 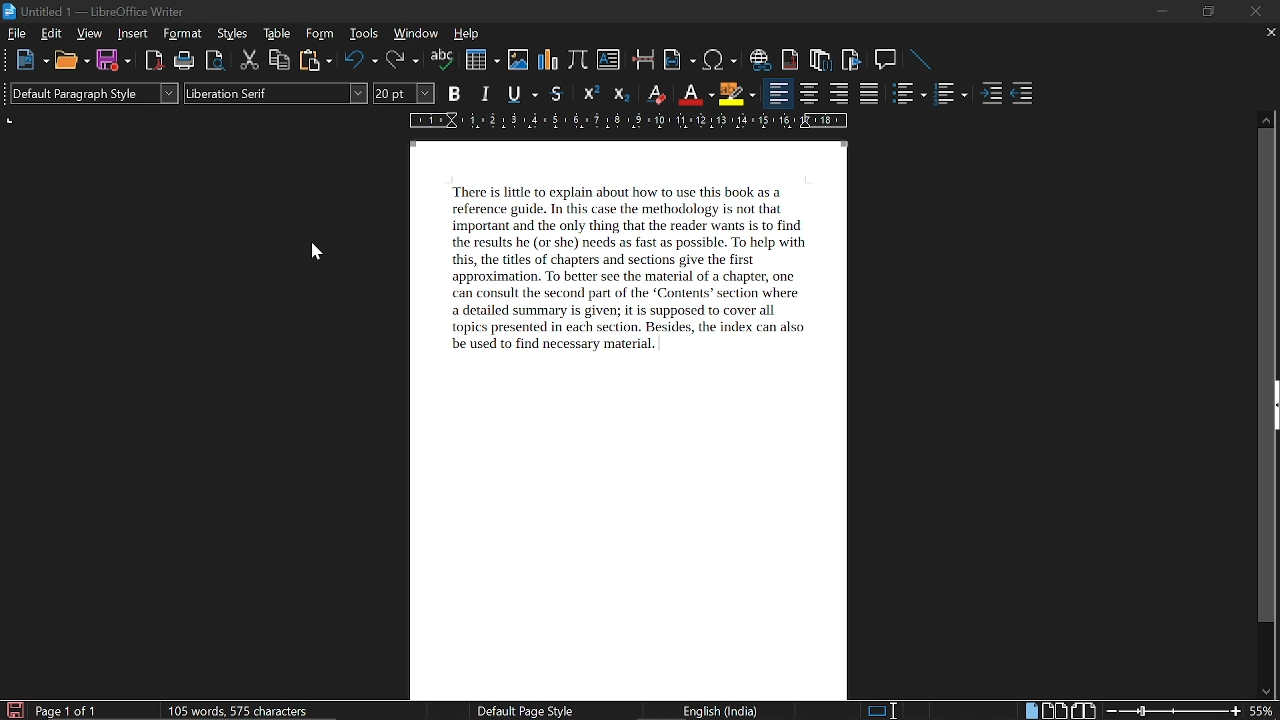 I want to click on insert endnote, so click(x=820, y=58).